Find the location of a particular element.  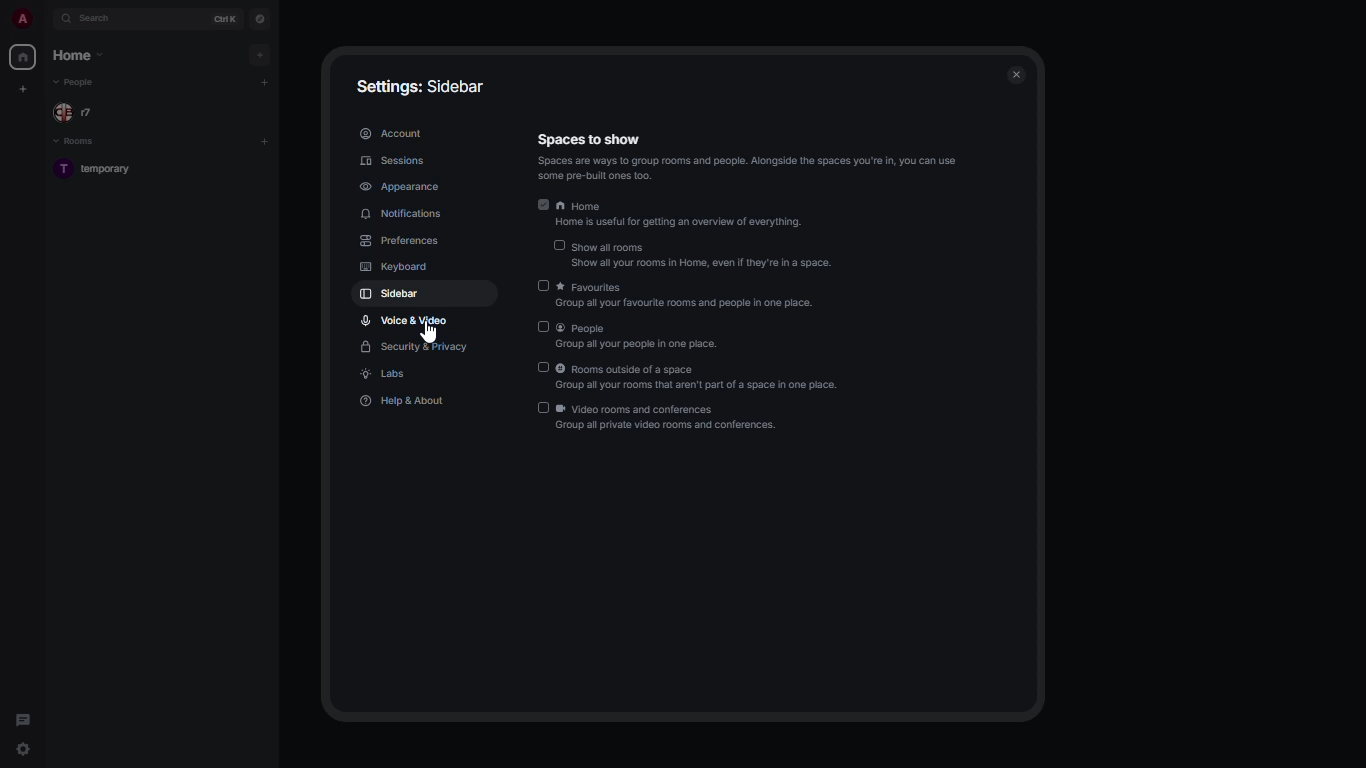

sessions is located at coordinates (392, 161).